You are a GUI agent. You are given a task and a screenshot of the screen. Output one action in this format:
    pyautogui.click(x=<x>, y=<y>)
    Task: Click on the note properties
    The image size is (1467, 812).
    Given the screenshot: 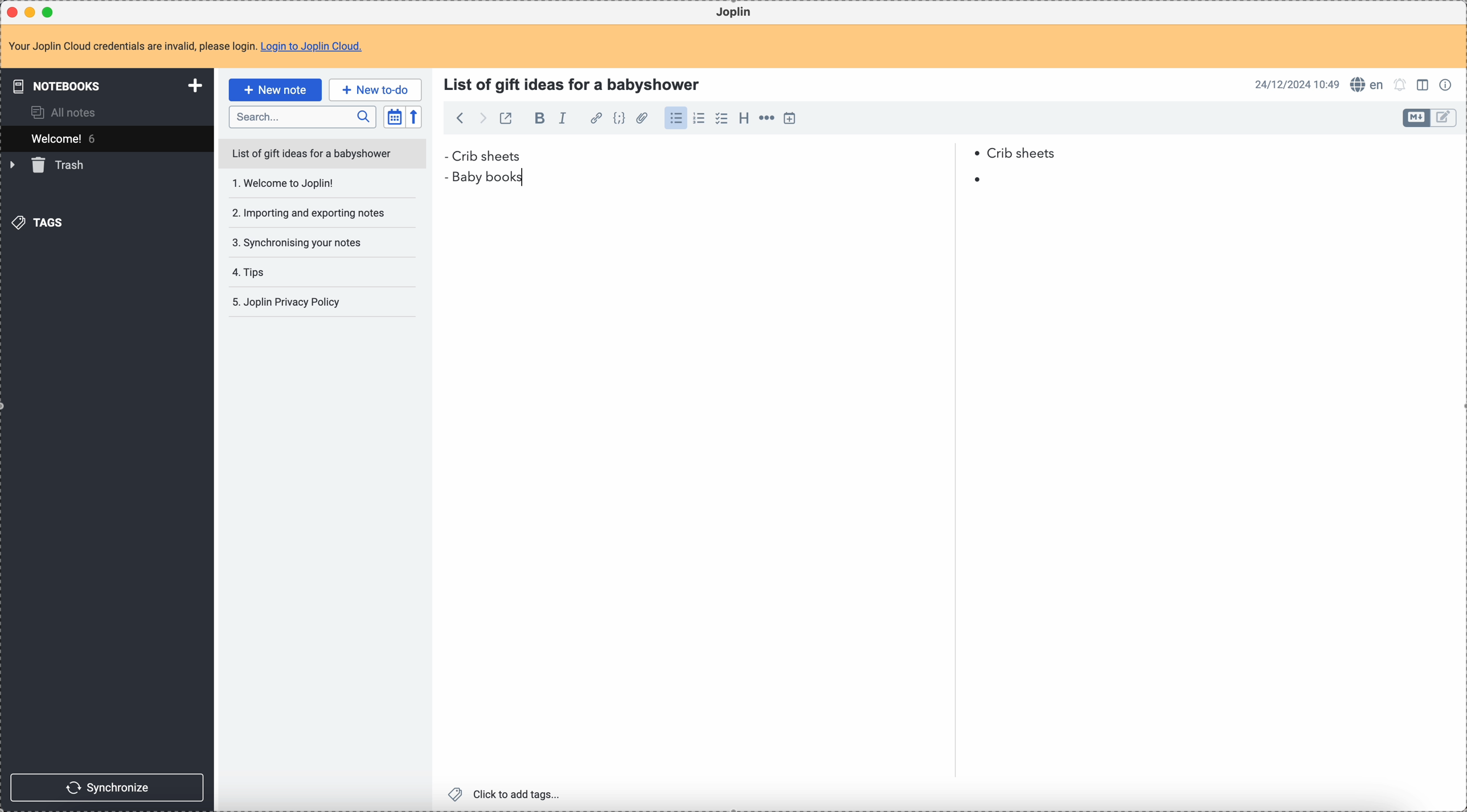 What is the action you would take?
    pyautogui.click(x=1448, y=84)
    